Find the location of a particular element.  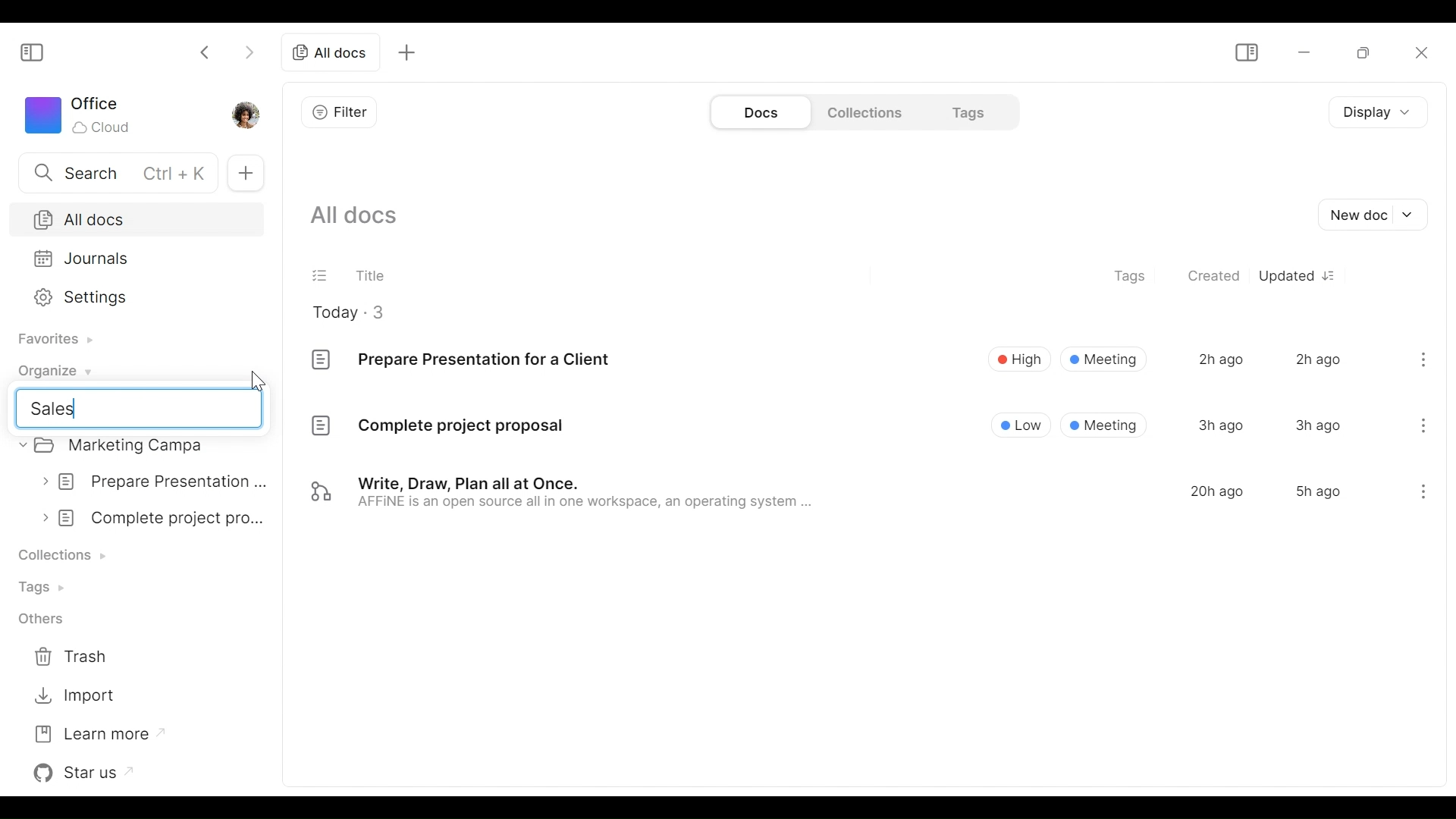

cursor pointer is located at coordinates (259, 382).